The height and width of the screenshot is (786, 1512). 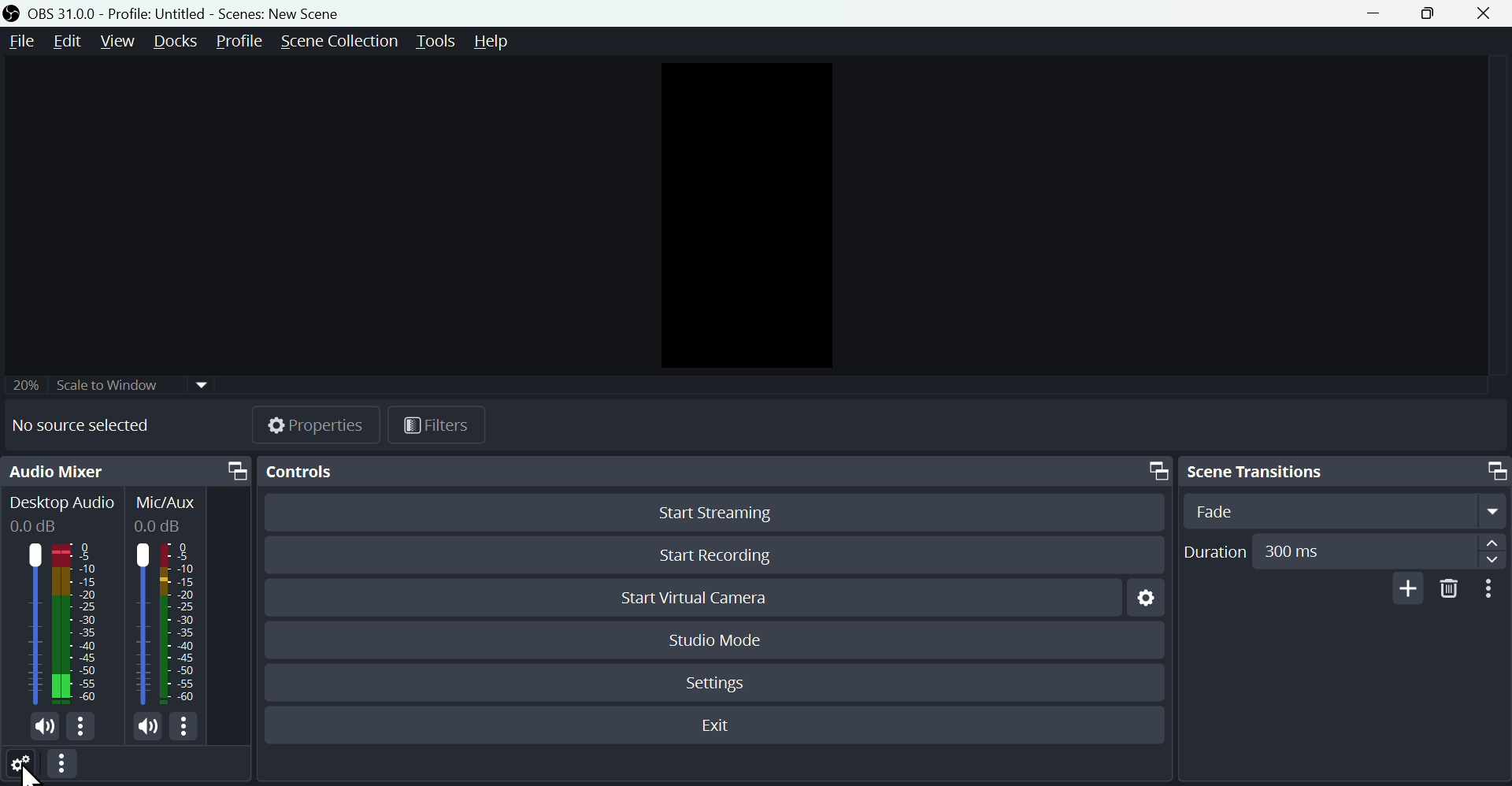 What do you see at coordinates (113, 384) in the screenshot?
I see `Scale to window` at bounding box center [113, 384].